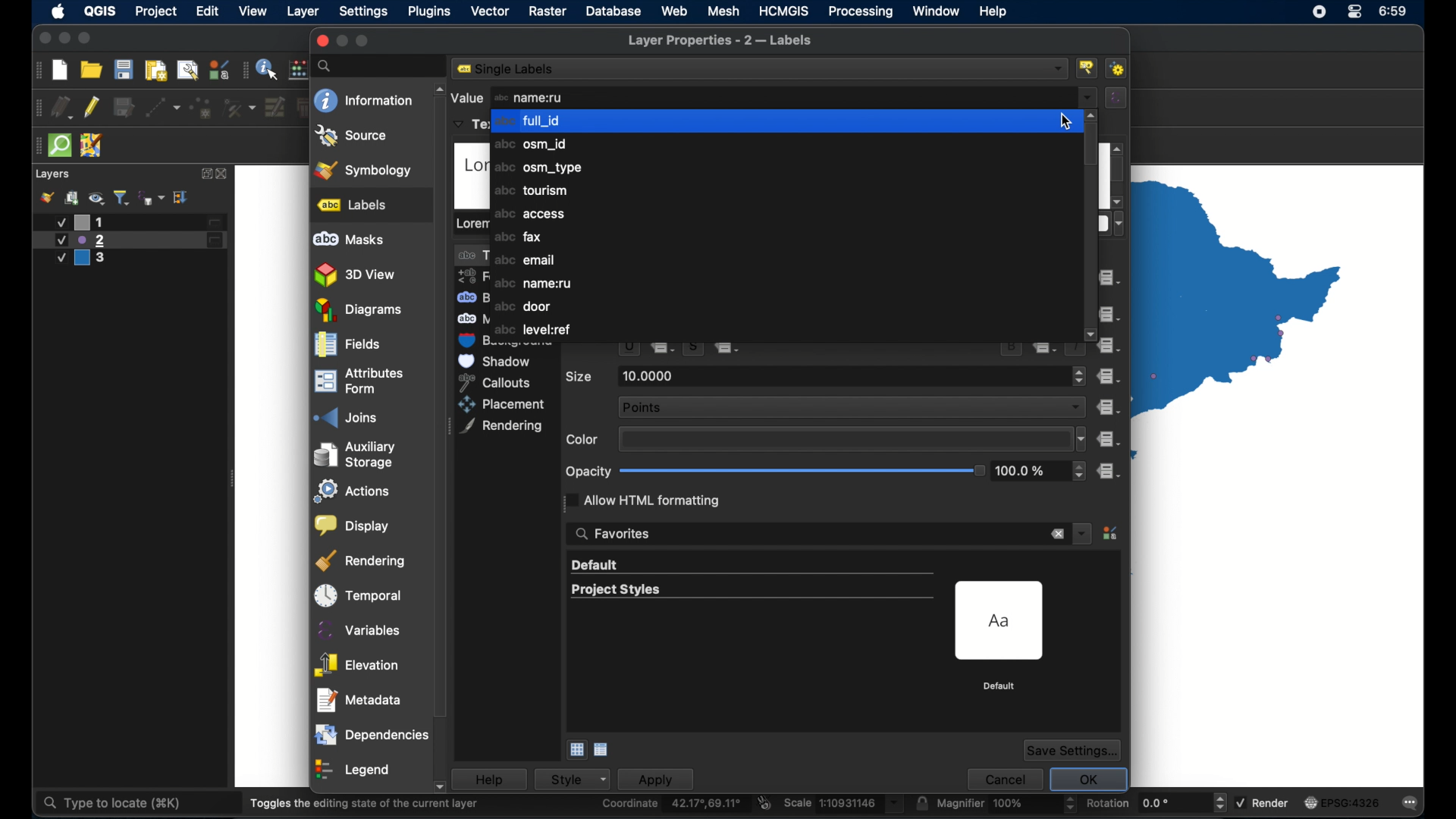 The width and height of the screenshot is (1456, 819). What do you see at coordinates (1108, 314) in the screenshot?
I see `data defined override` at bounding box center [1108, 314].